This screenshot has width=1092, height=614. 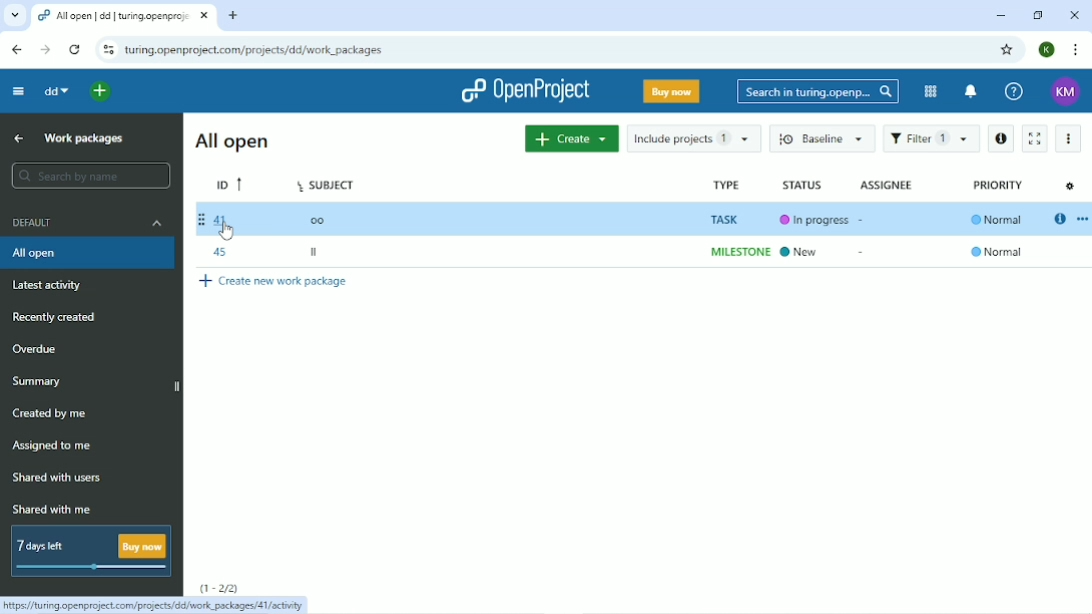 I want to click on Open context menu, so click(x=1082, y=217).